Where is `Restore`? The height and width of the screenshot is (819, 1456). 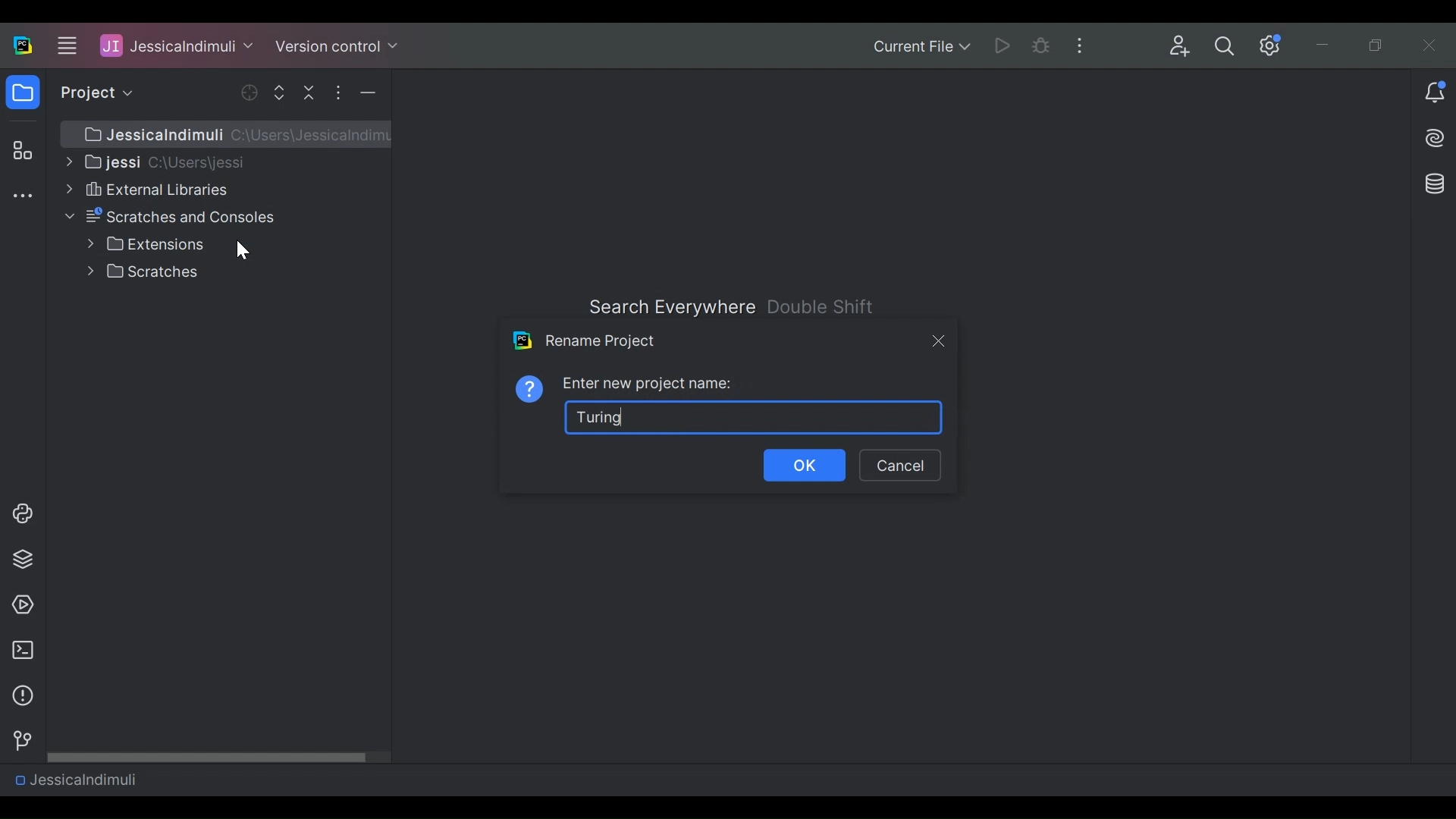
Restore is located at coordinates (1379, 46).